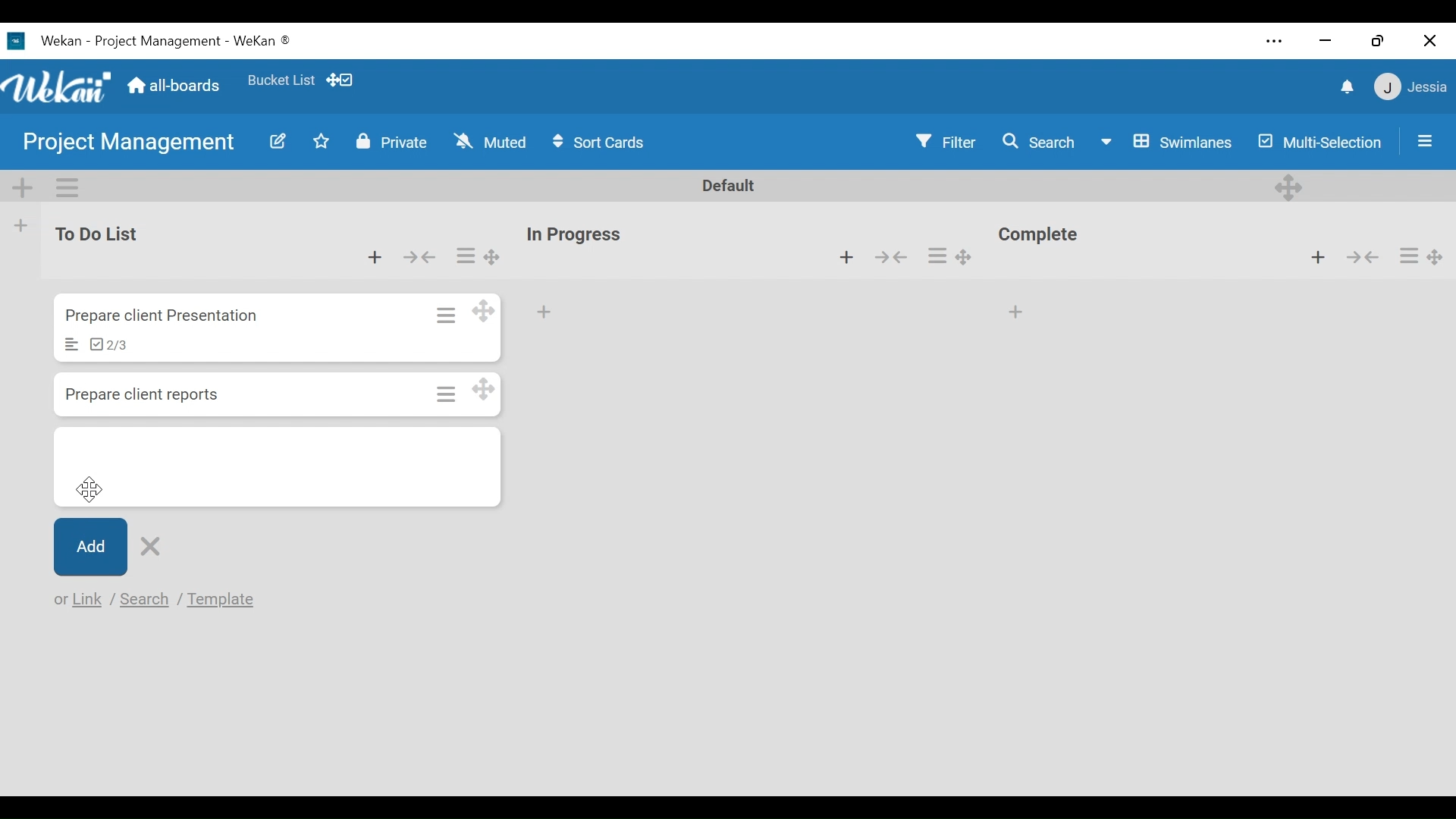  I want to click on Desktop drag handle, so click(972, 254).